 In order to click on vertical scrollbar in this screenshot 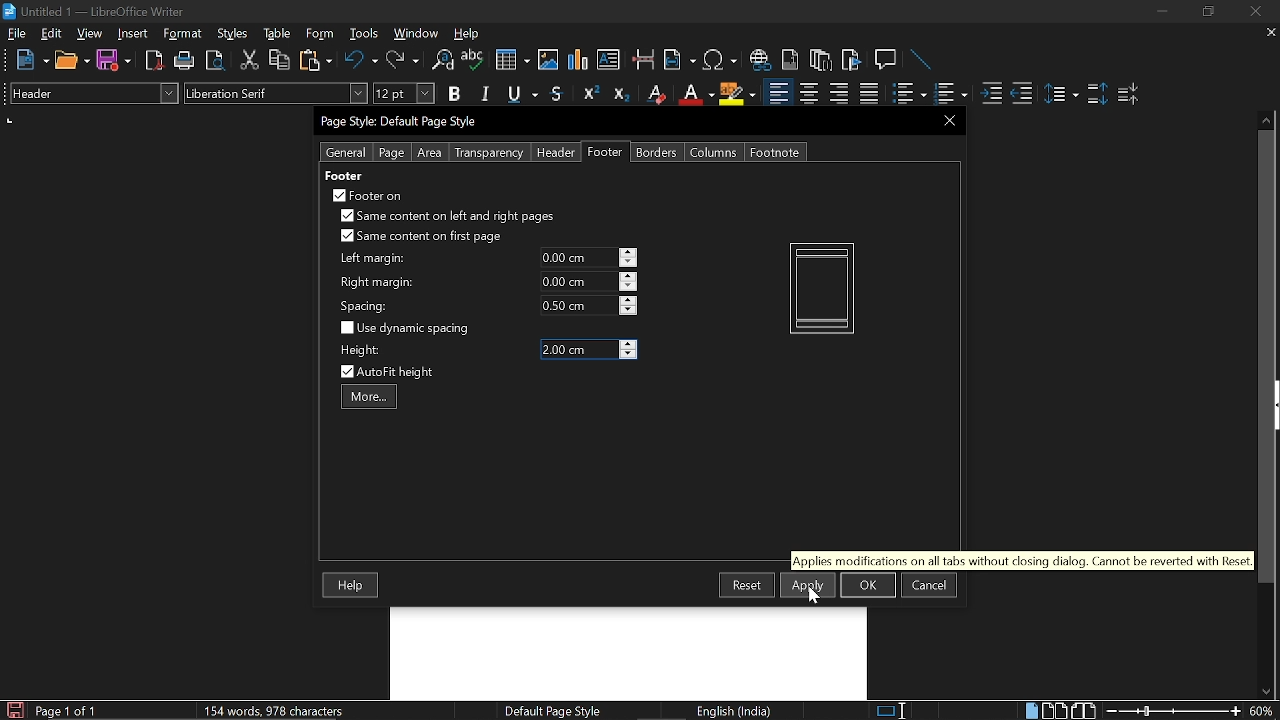, I will do `click(1262, 357)`.